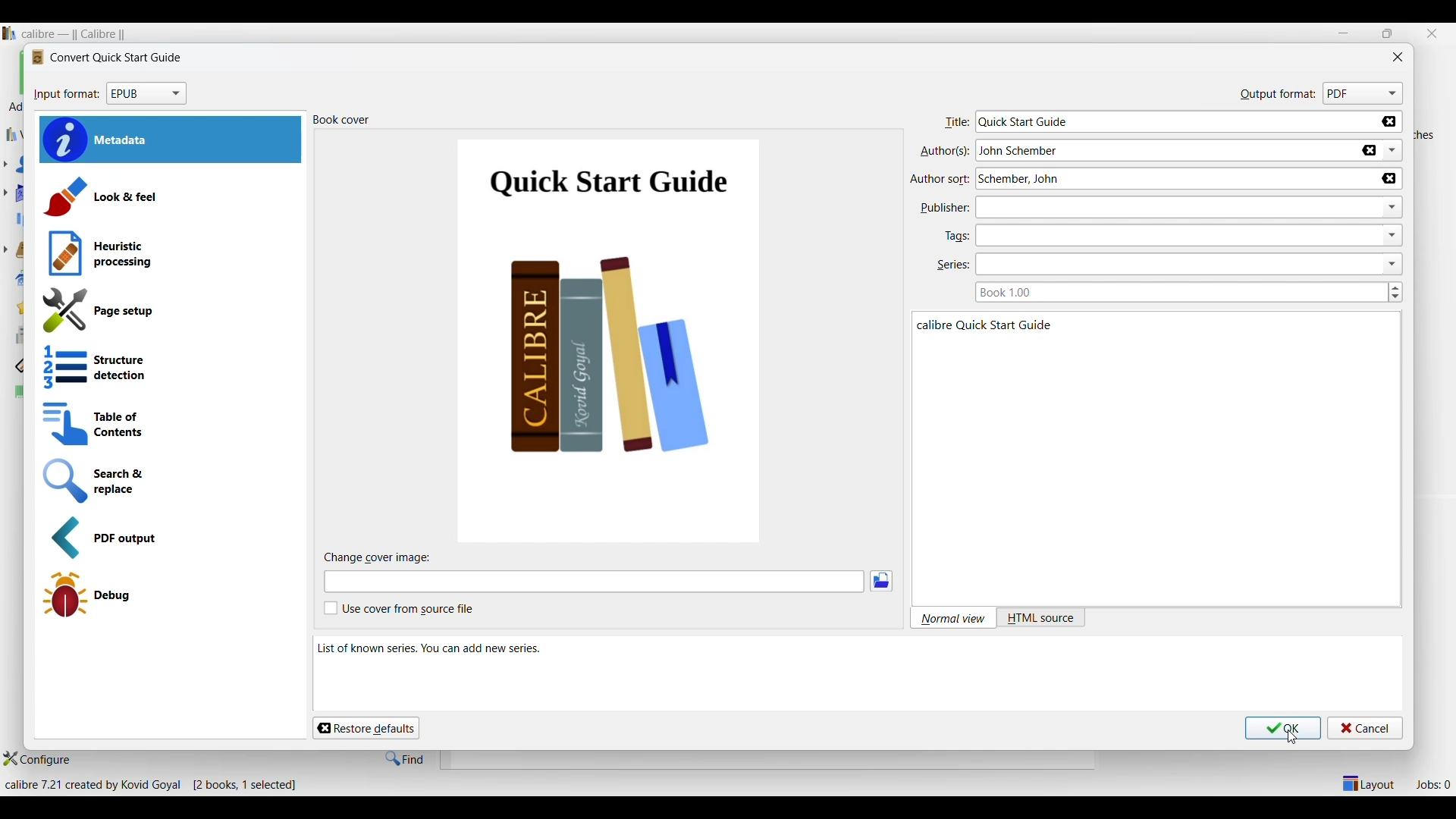 This screenshot has height=819, width=1456. Describe the element at coordinates (954, 619) in the screenshot. I see `Normal view` at that location.